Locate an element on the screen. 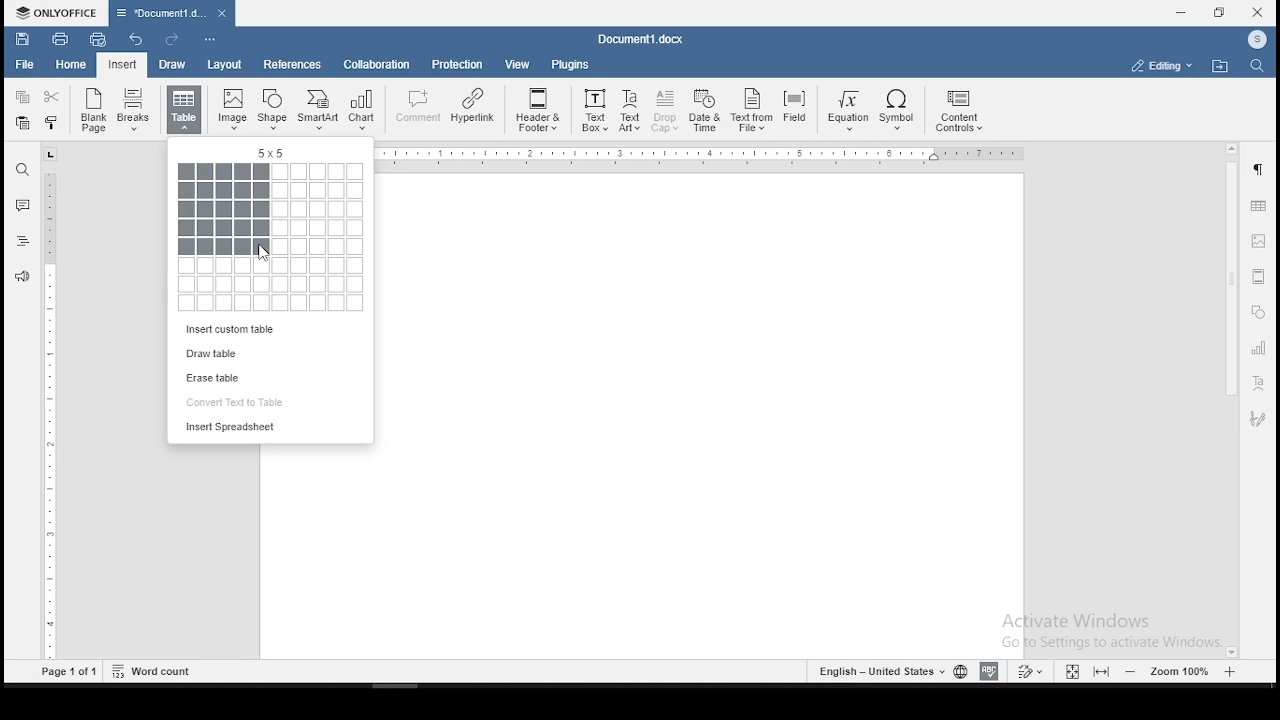 This screenshot has height=720, width=1280. Hyperlink is located at coordinates (473, 106).